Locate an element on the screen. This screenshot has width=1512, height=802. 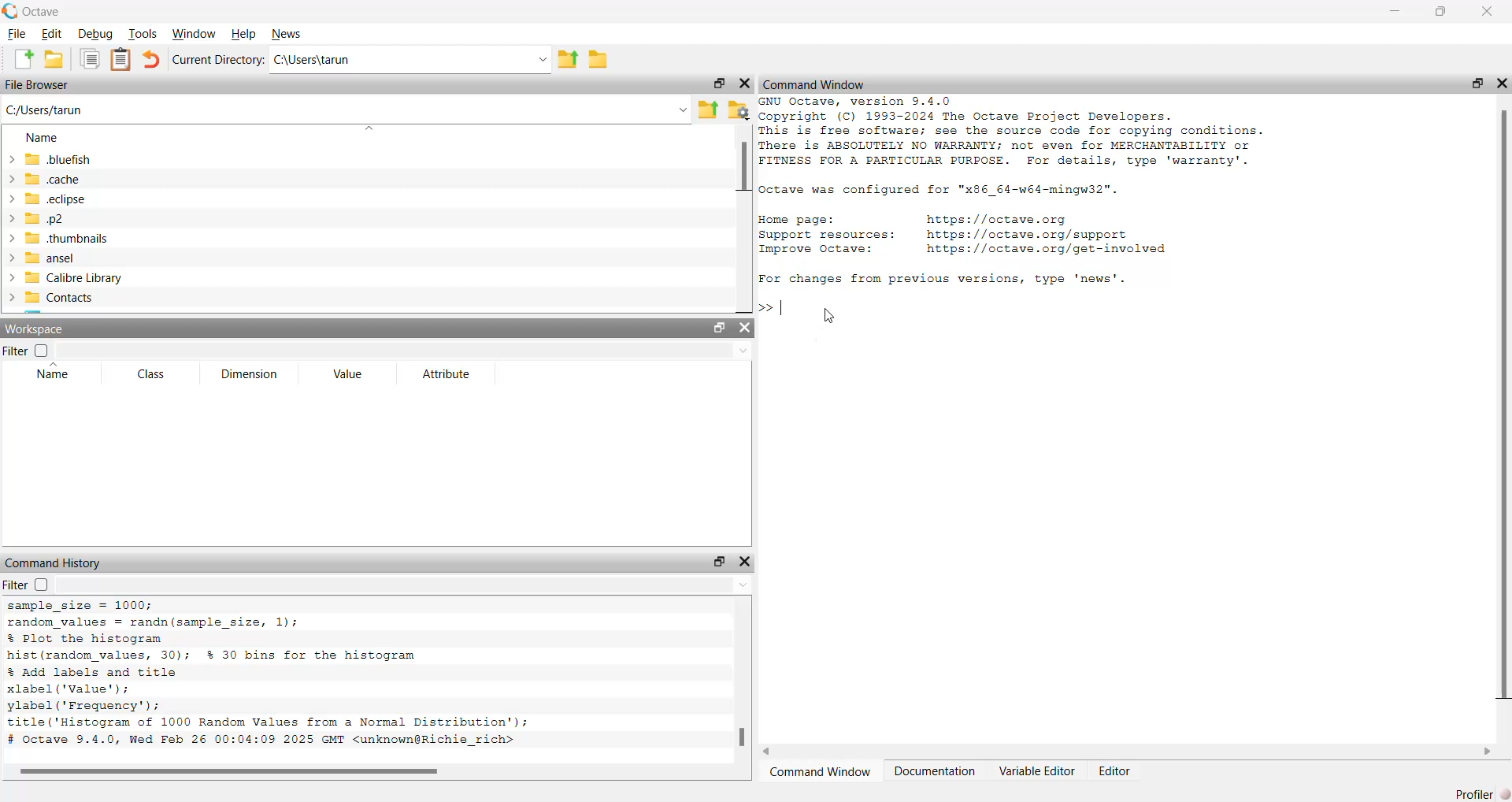
sample_size = 1000;
random_values = randn(sample_size, 1);

% Plot the histogram

hist (random_values, 30); % 30 bins for the histogram

% Add labels and title

xlabel ('Value');

ylabel (*Frequency') ;

title (‘Histogram of 1000 Random Values from a Normal Distribution’);
# Octave 9.4.0, Wed Feb 26 00:04:09 2025 GMT <unknown@Richie_rich> is located at coordinates (269, 677).